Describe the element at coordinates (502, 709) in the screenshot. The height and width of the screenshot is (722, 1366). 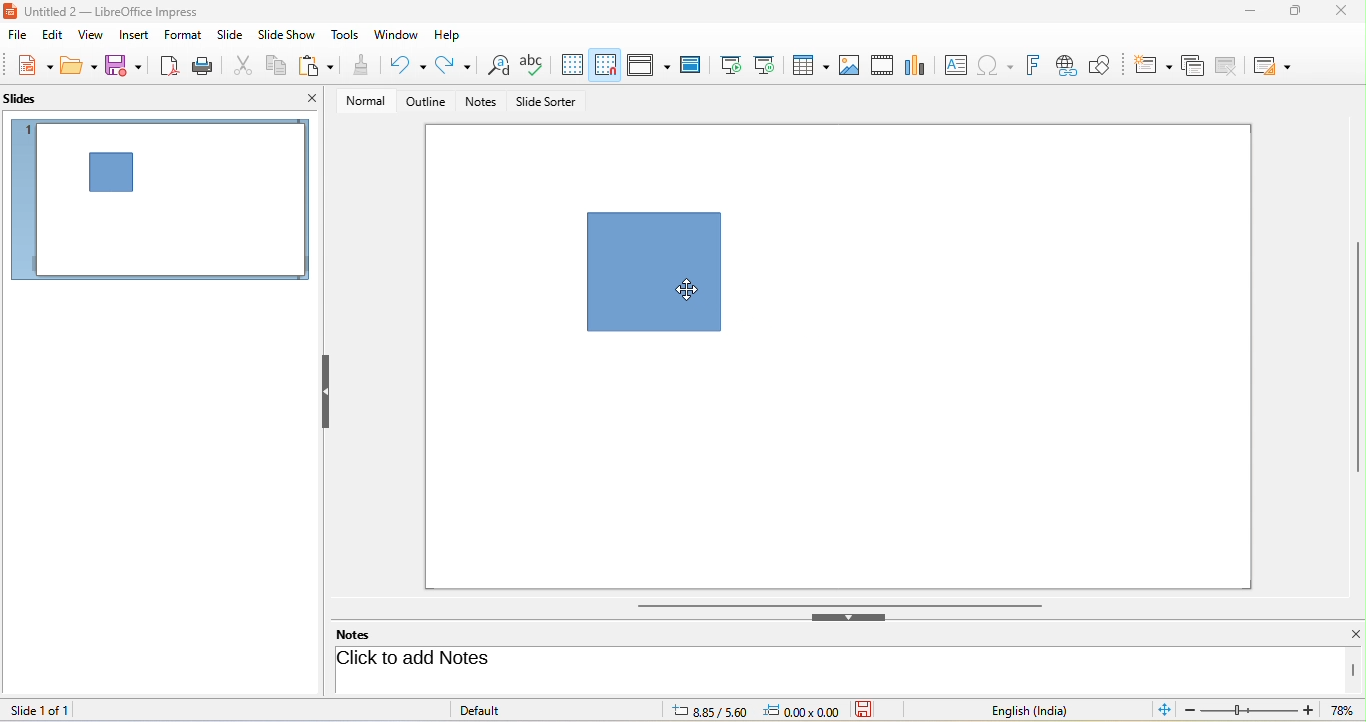
I see `default` at that location.